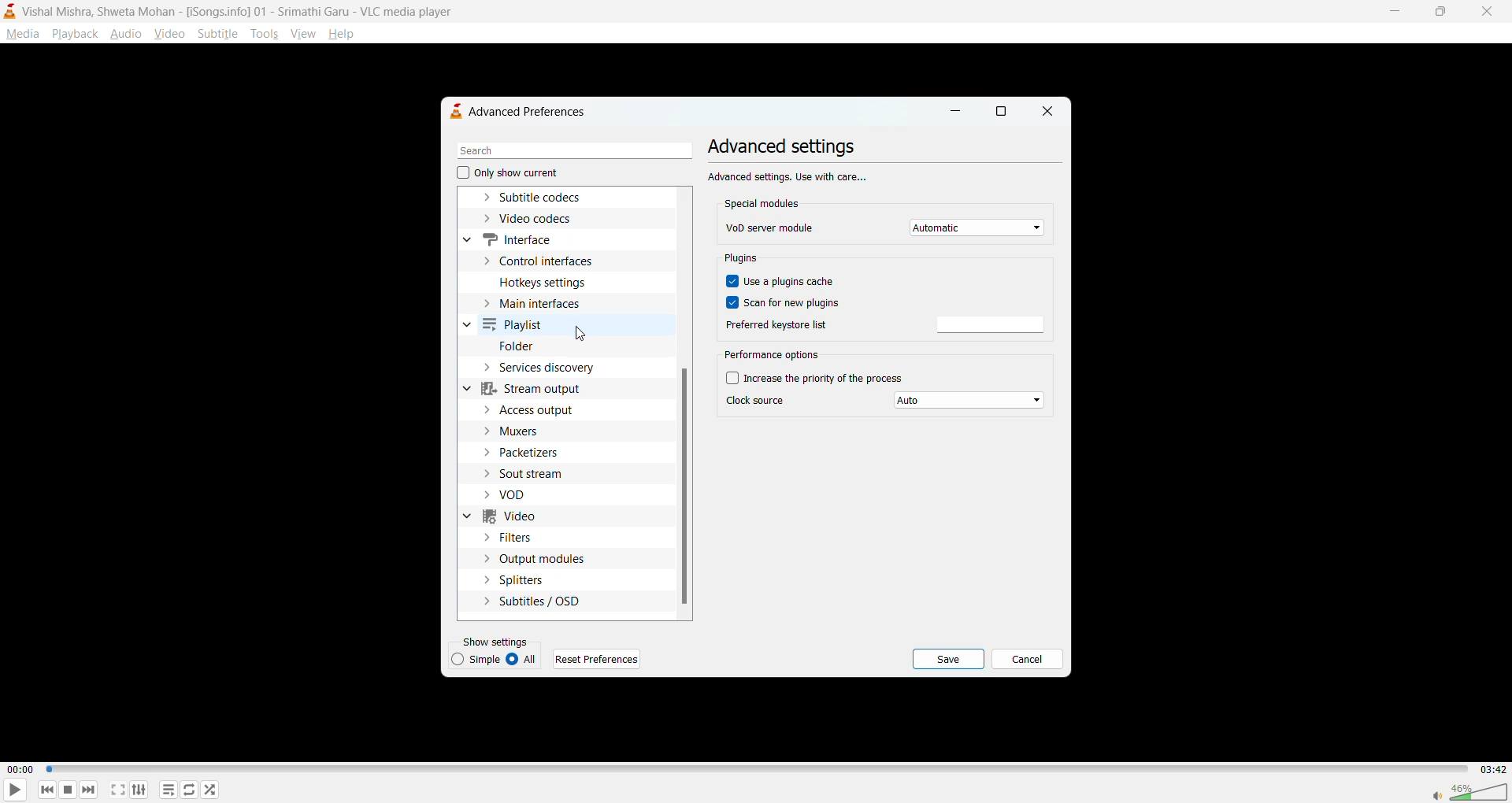 Image resolution: width=1512 pixels, height=803 pixels. Describe the element at coordinates (344, 35) in the screenshot. I see `help` at that location.